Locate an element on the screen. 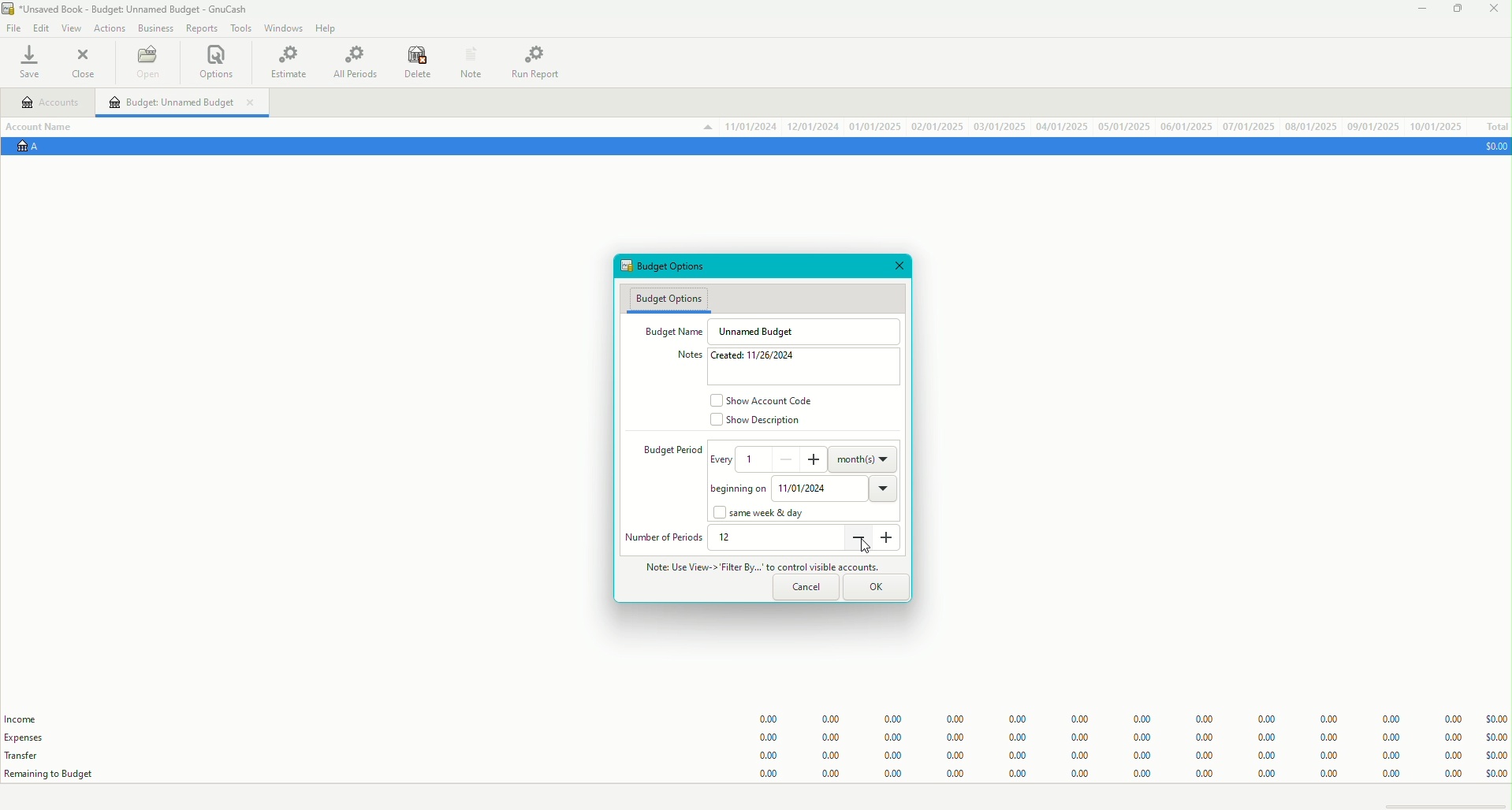 The image size is (1512, 810). Business is located at coordinates (156, 28).